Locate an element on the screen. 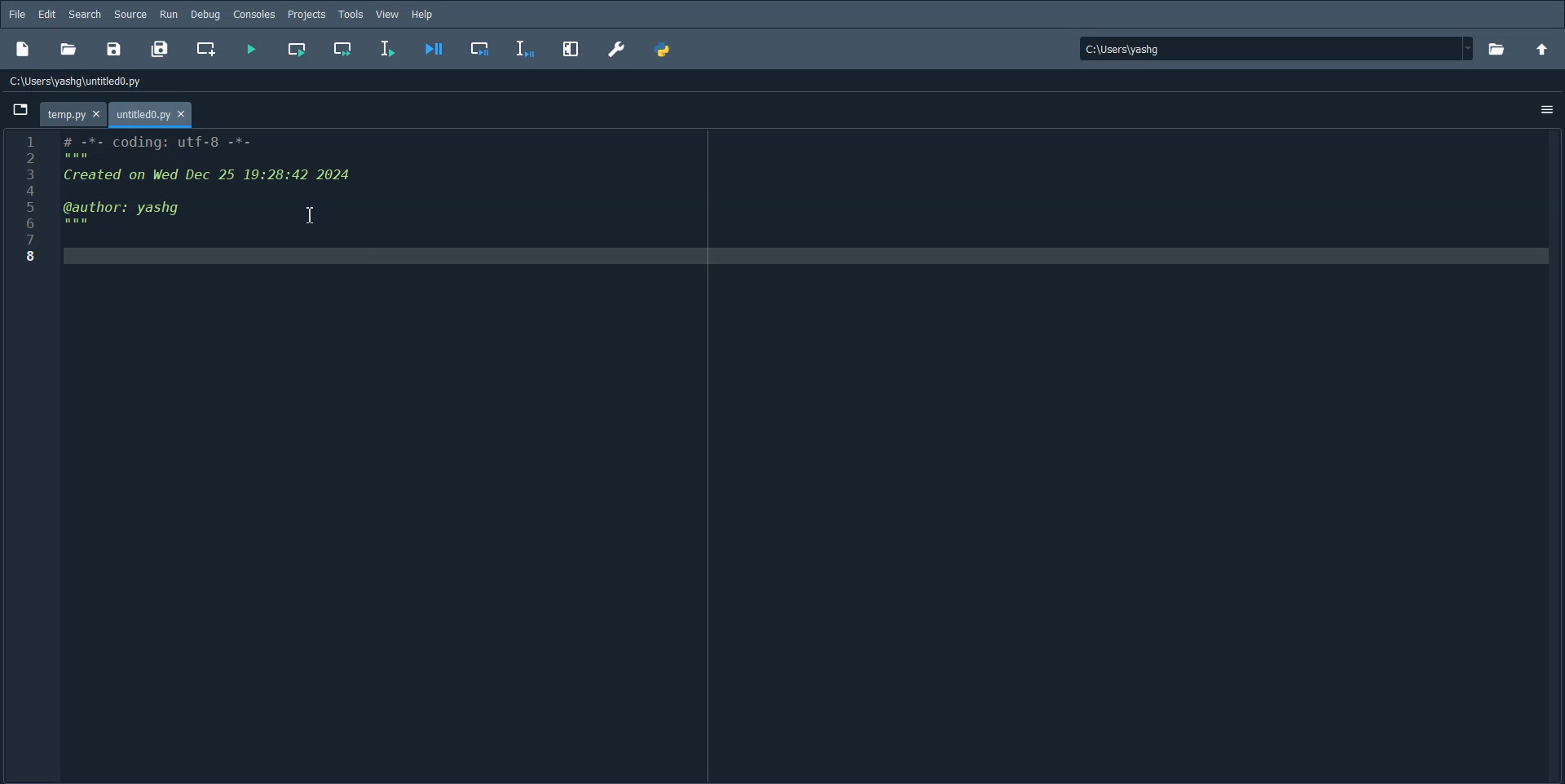 The width and height of the screenshot is (1565, 784). File is located at coordinates (18, 15).